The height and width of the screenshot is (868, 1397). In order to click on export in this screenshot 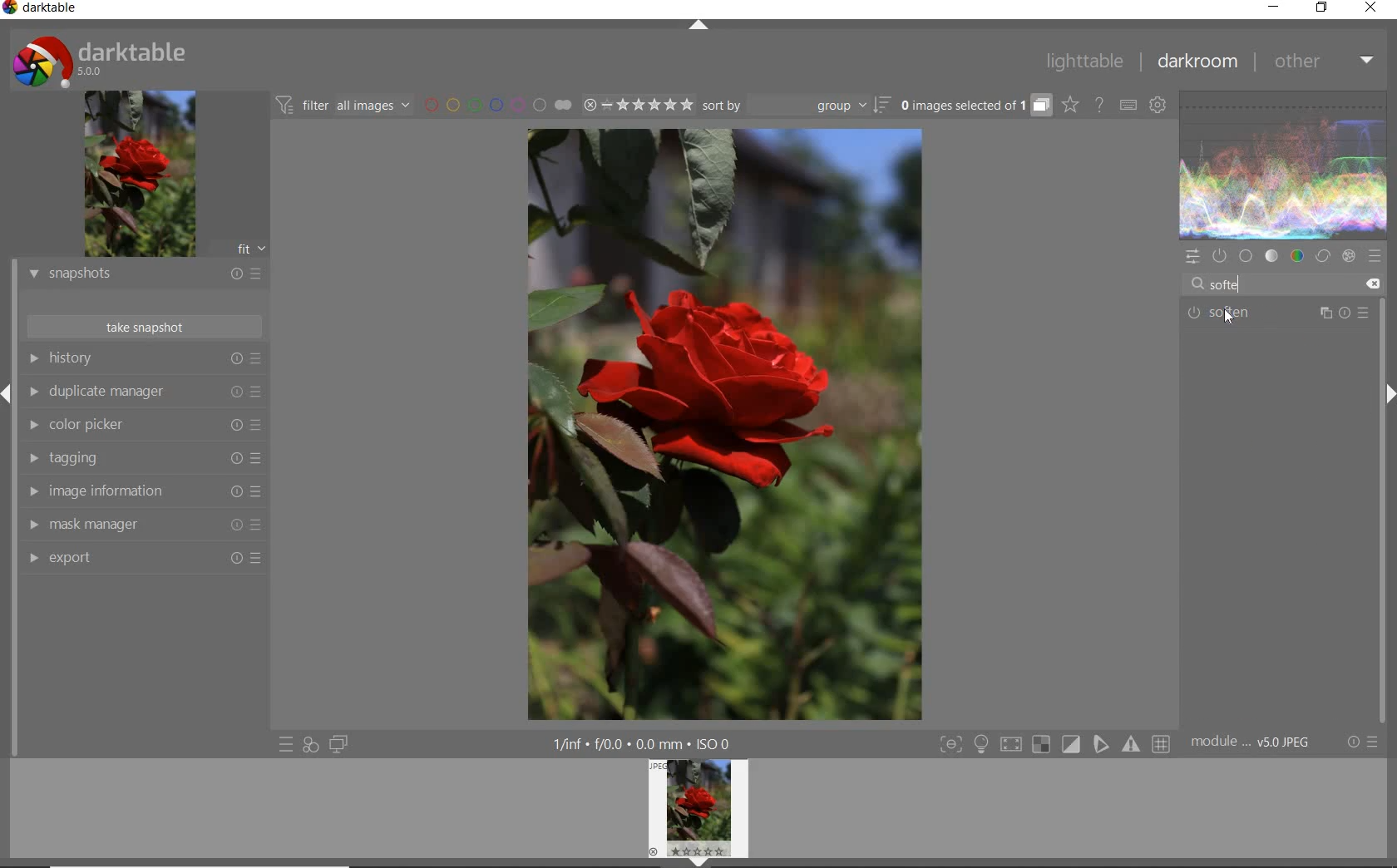, I will do `click(144, 560)`.